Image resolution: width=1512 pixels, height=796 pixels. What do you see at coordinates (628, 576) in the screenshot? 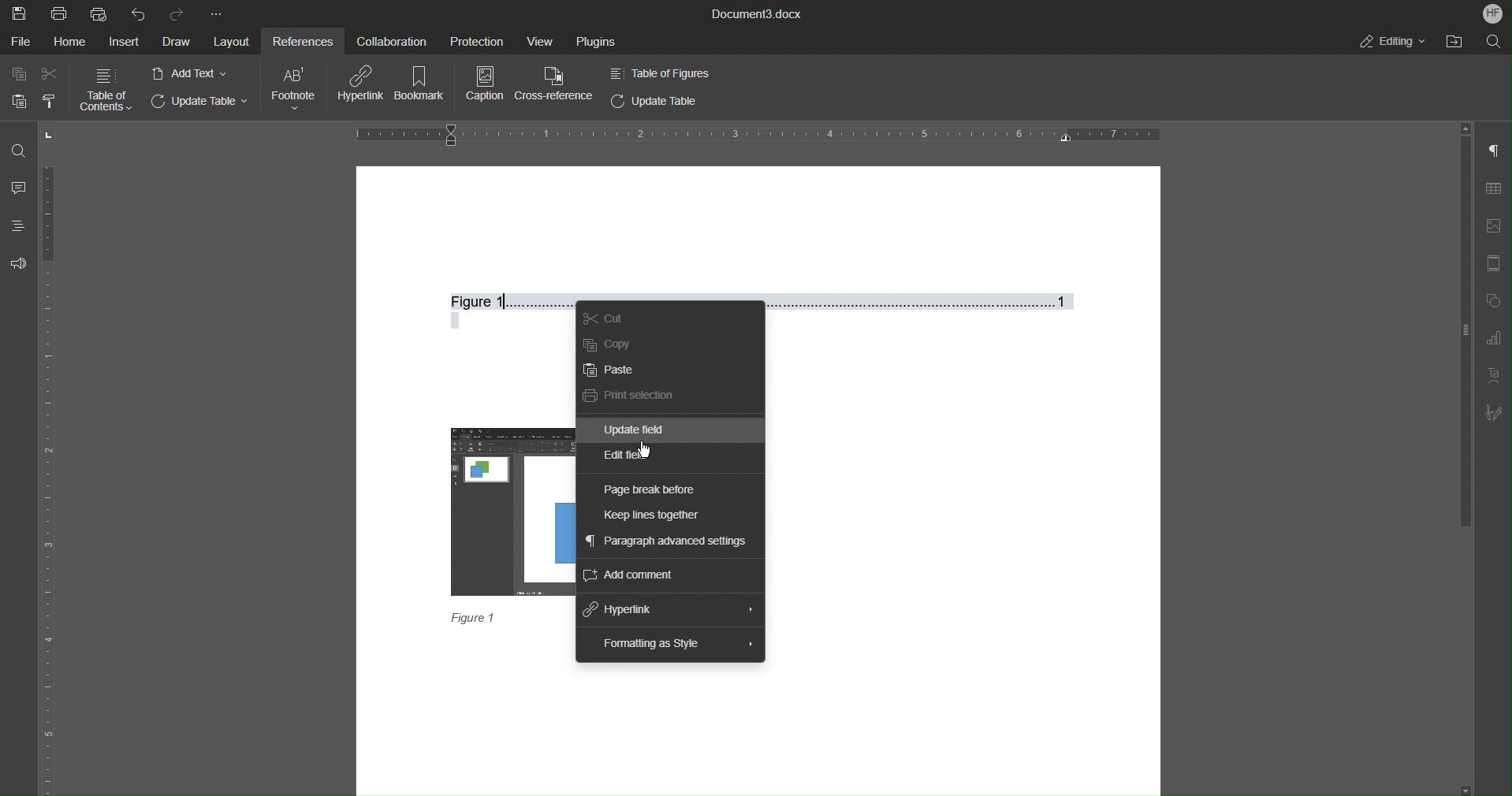
I see `Add comment` at bounding box center [628, 576].